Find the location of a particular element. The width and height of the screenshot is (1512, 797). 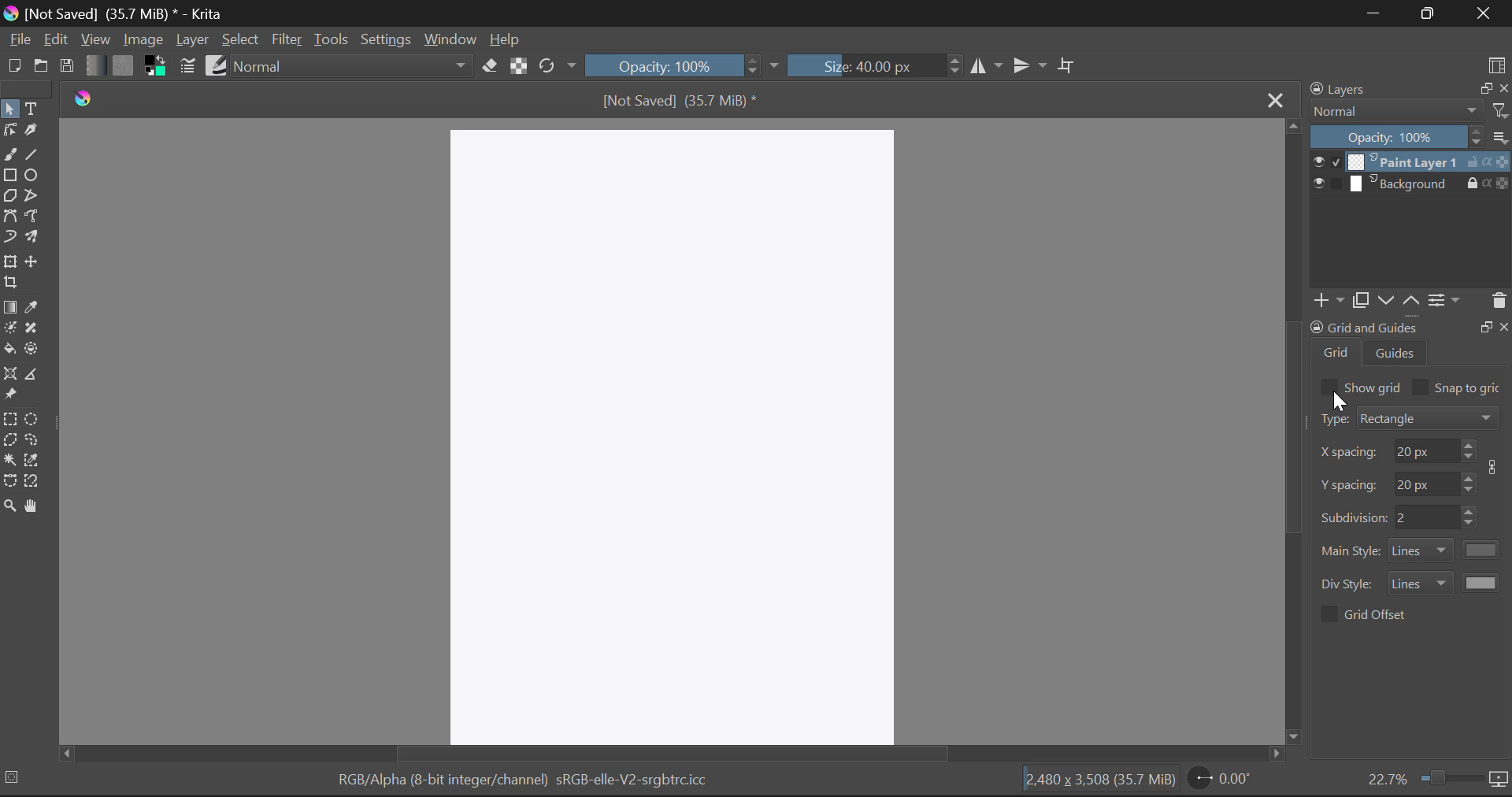

Brush Size is located at coordinates (873, 65).